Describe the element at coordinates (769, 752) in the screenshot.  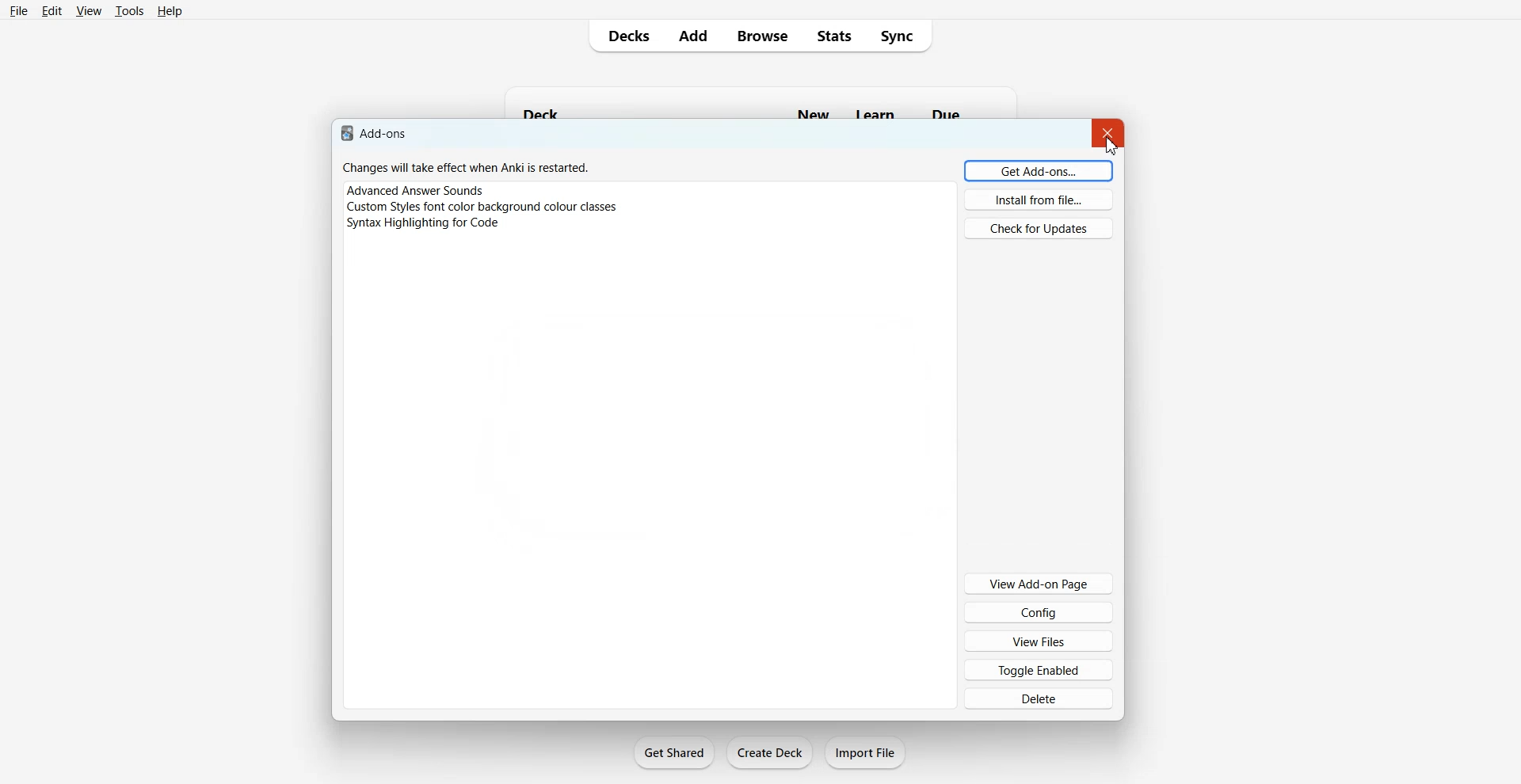
I see `Create Deck` at that location.